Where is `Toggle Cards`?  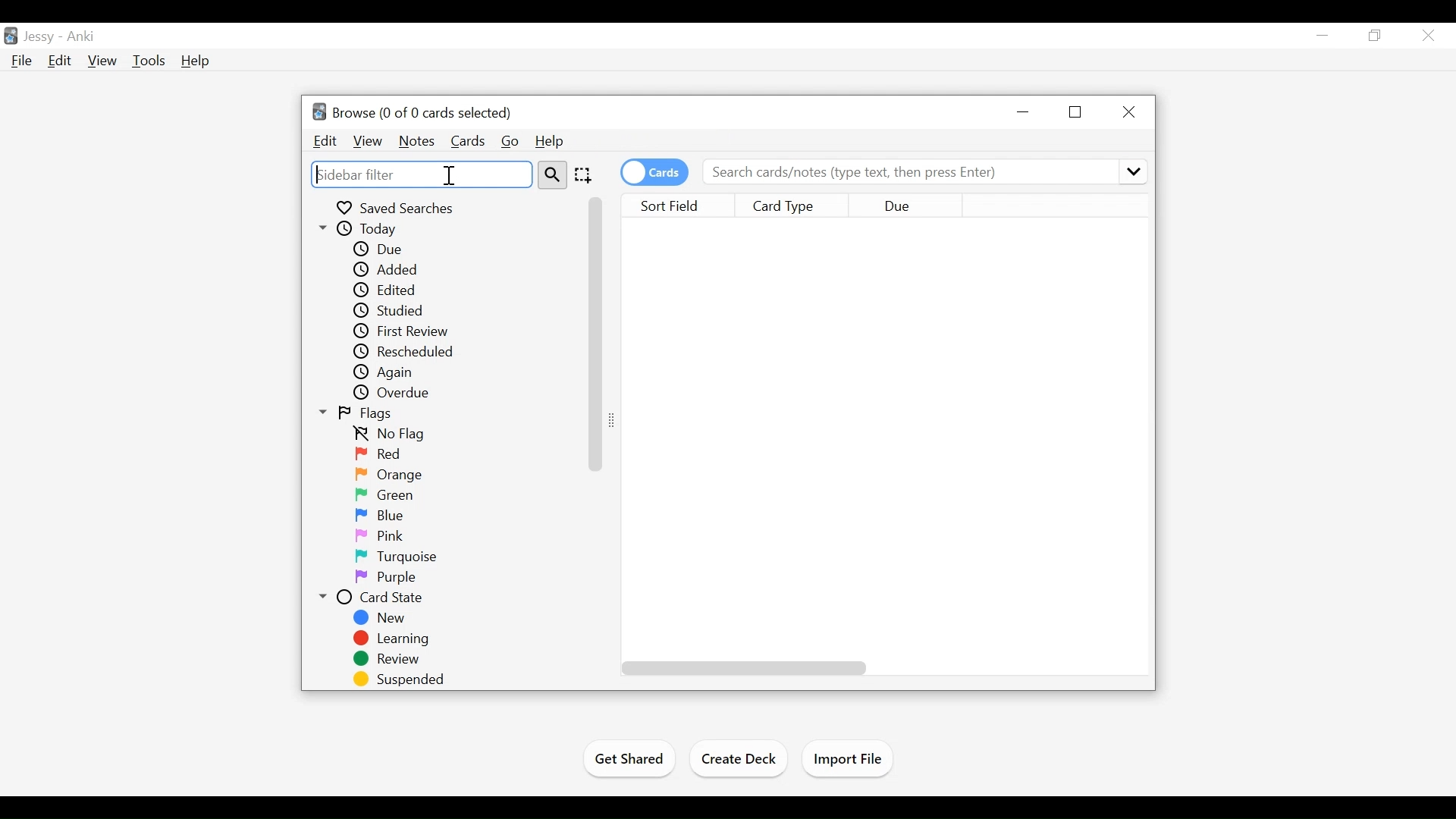 Toggle Cards is located at coordinates (656, 172).